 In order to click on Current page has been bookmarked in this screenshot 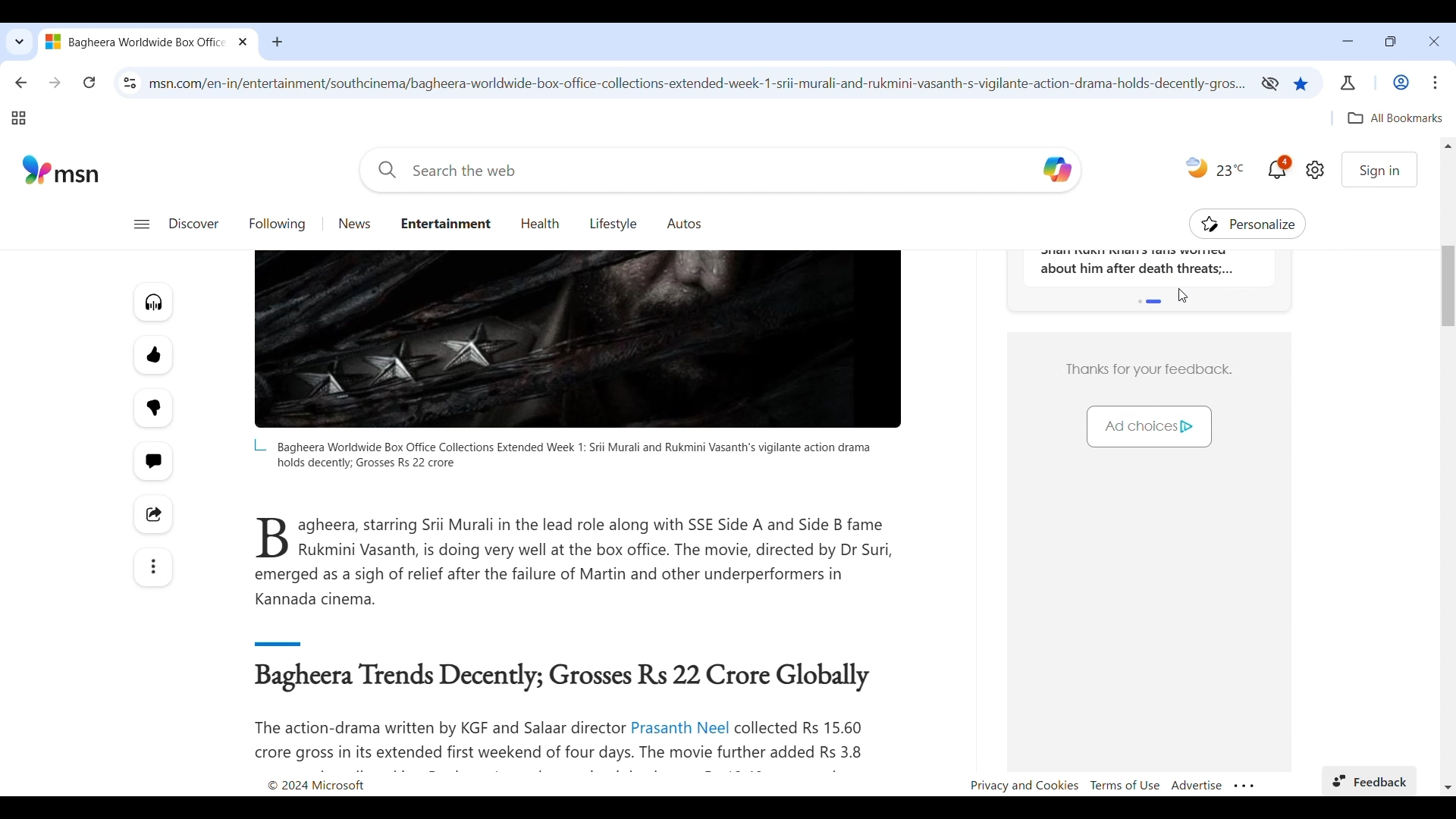, I will do `click(1301, 85)`.